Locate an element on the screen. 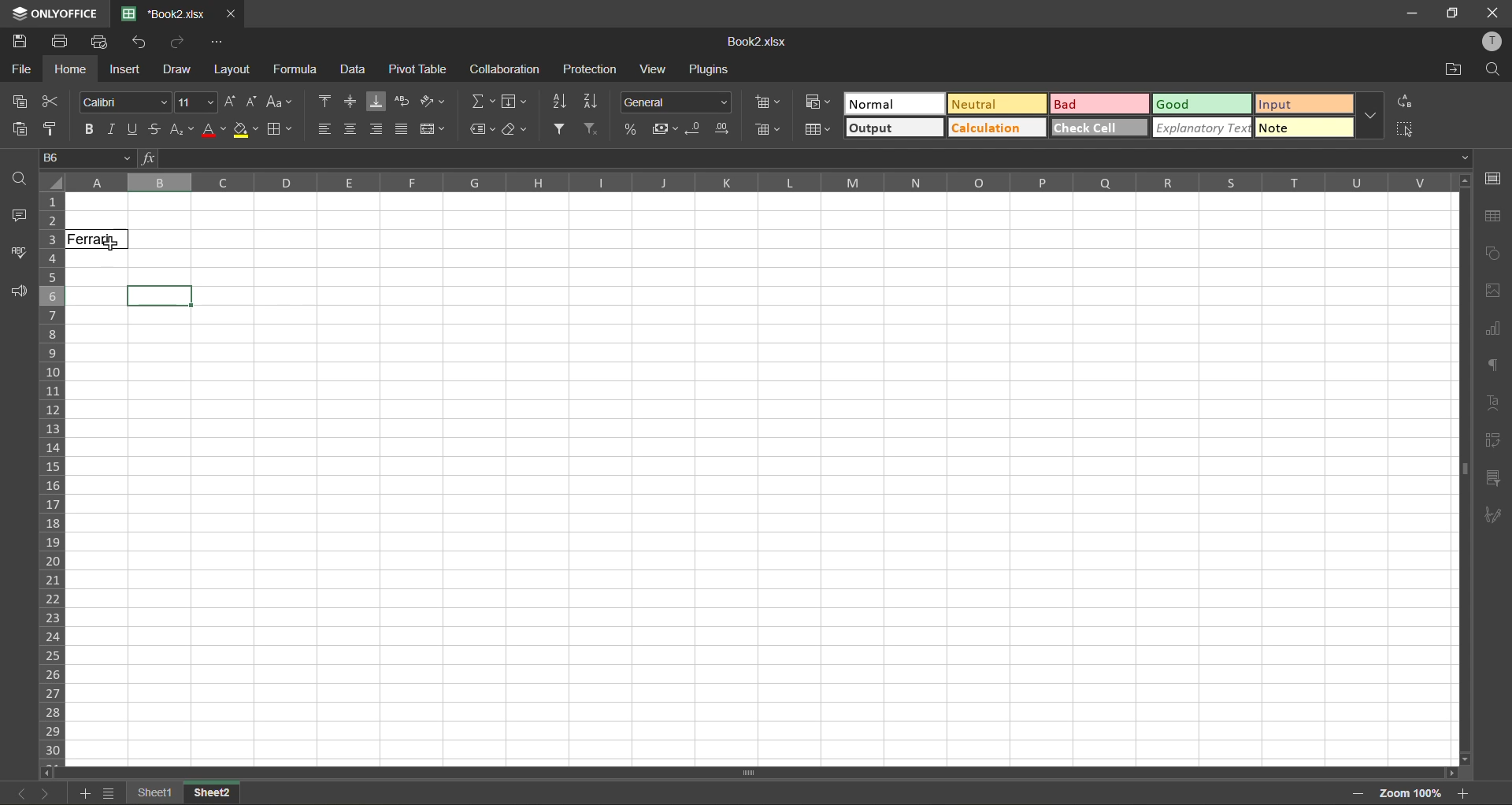  replace is located at coordinates (1404, 102).